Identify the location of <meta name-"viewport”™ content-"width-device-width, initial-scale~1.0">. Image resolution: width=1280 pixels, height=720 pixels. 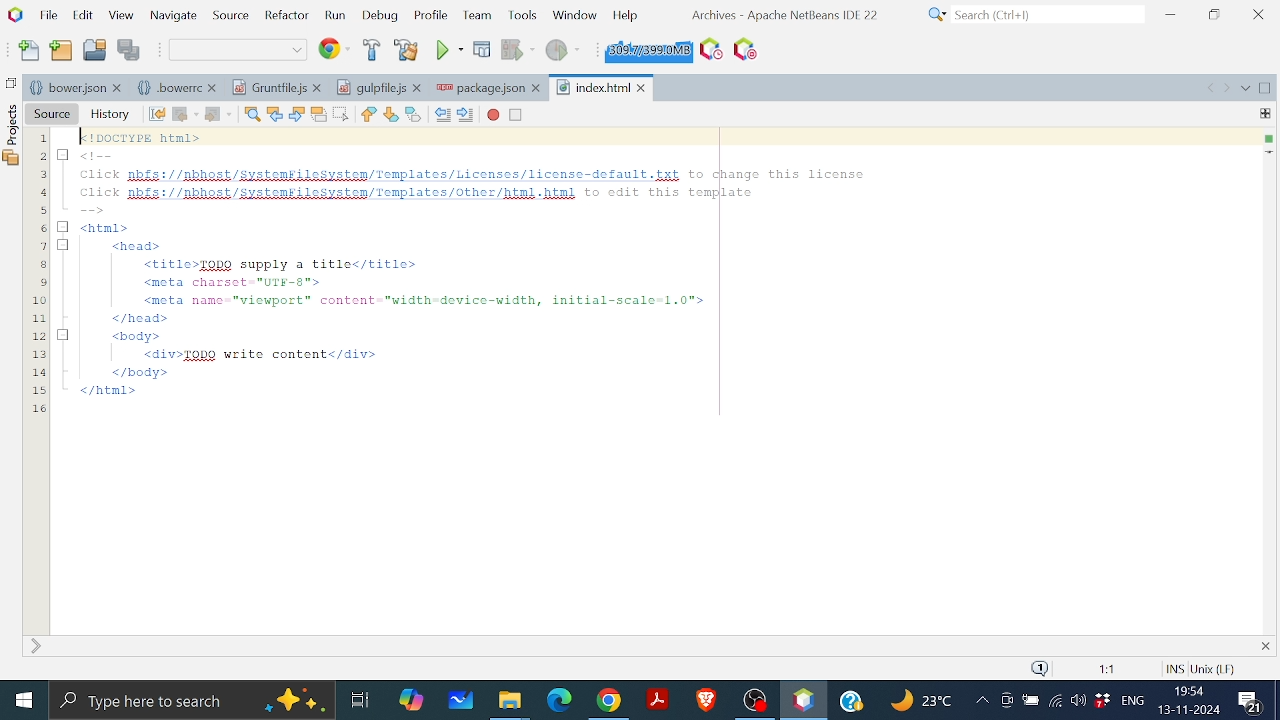
(423, 300).